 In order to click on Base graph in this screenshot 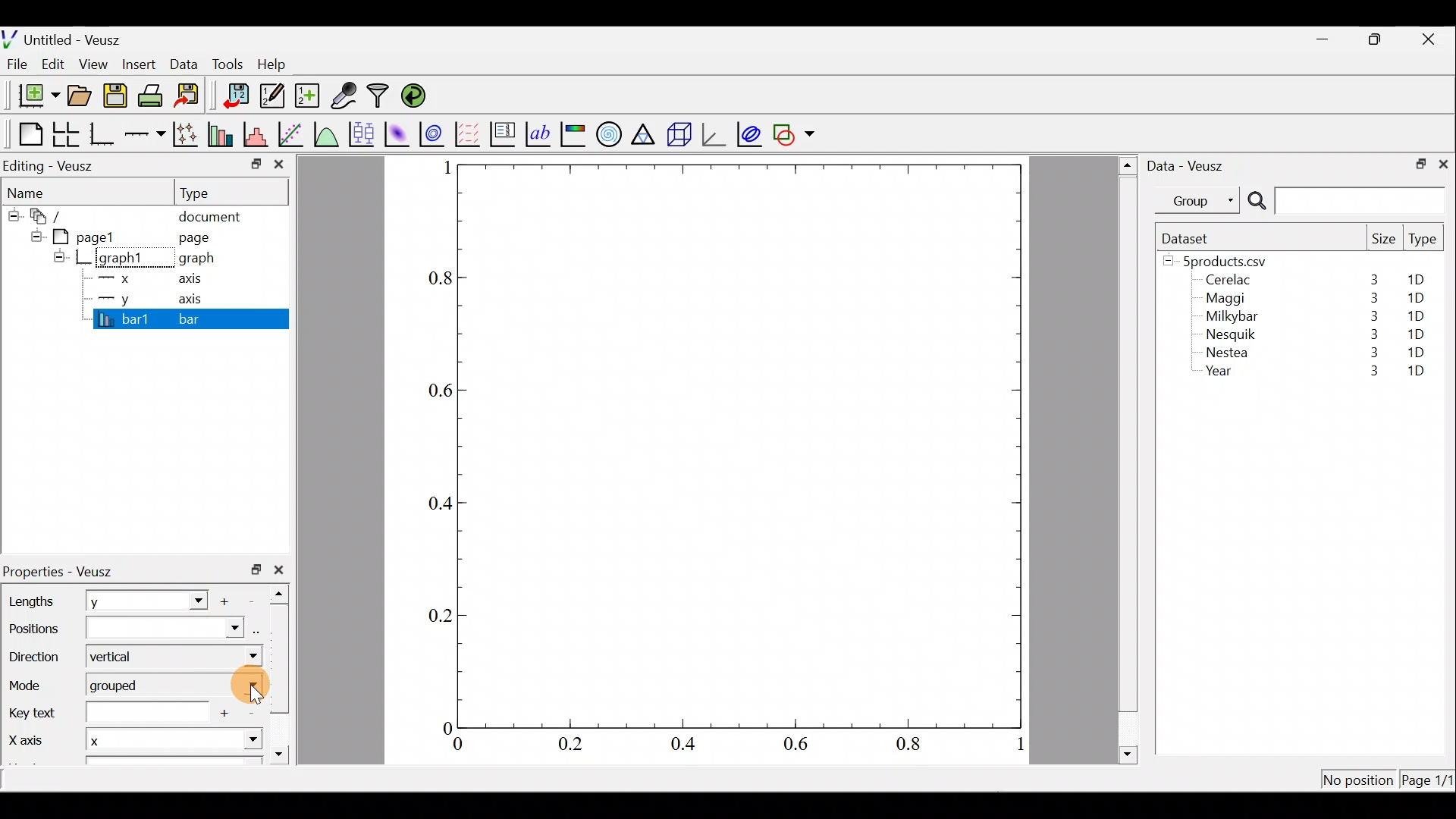, I will do `click(103, 134)`.